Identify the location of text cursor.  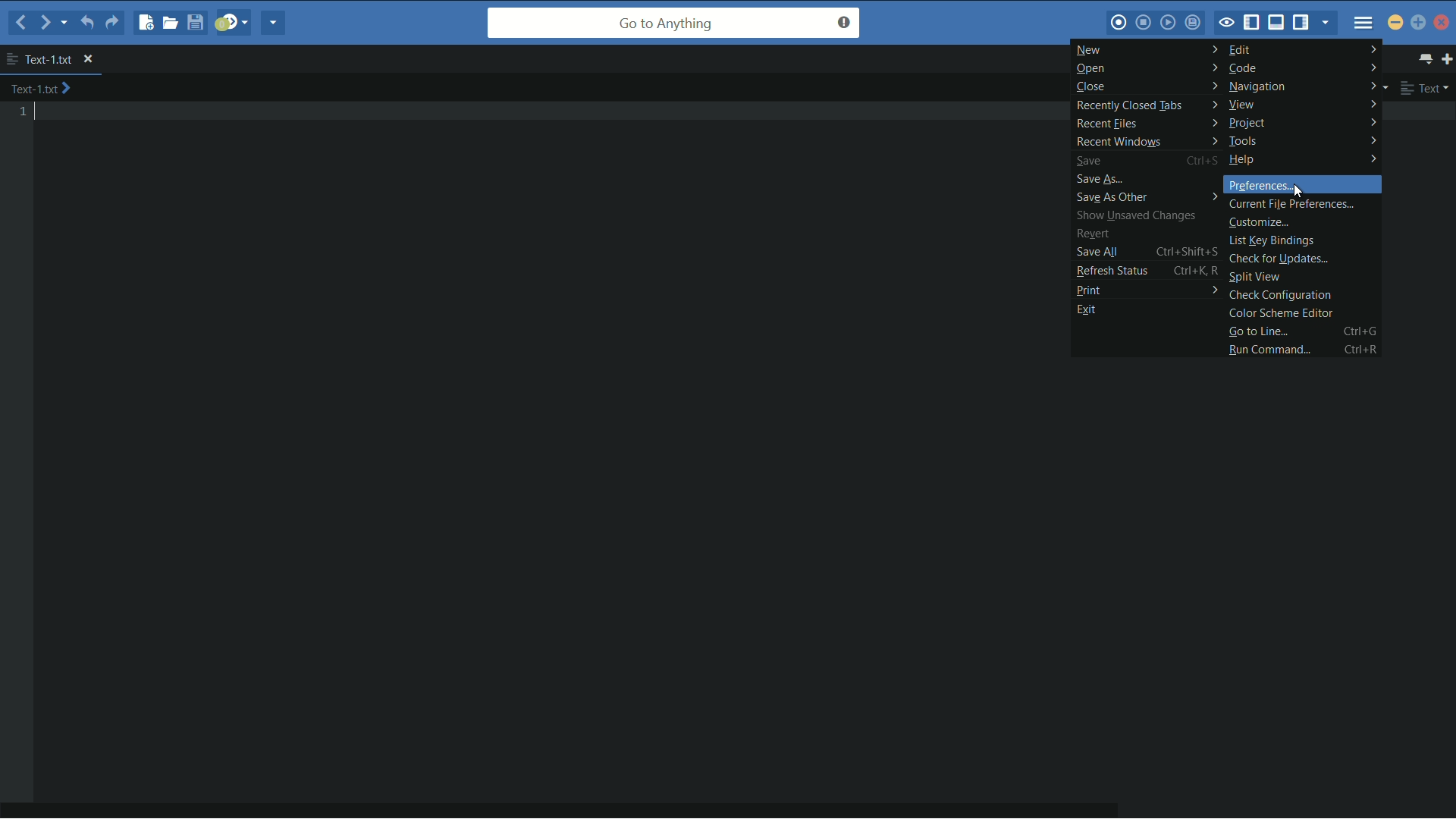
(43, 114).